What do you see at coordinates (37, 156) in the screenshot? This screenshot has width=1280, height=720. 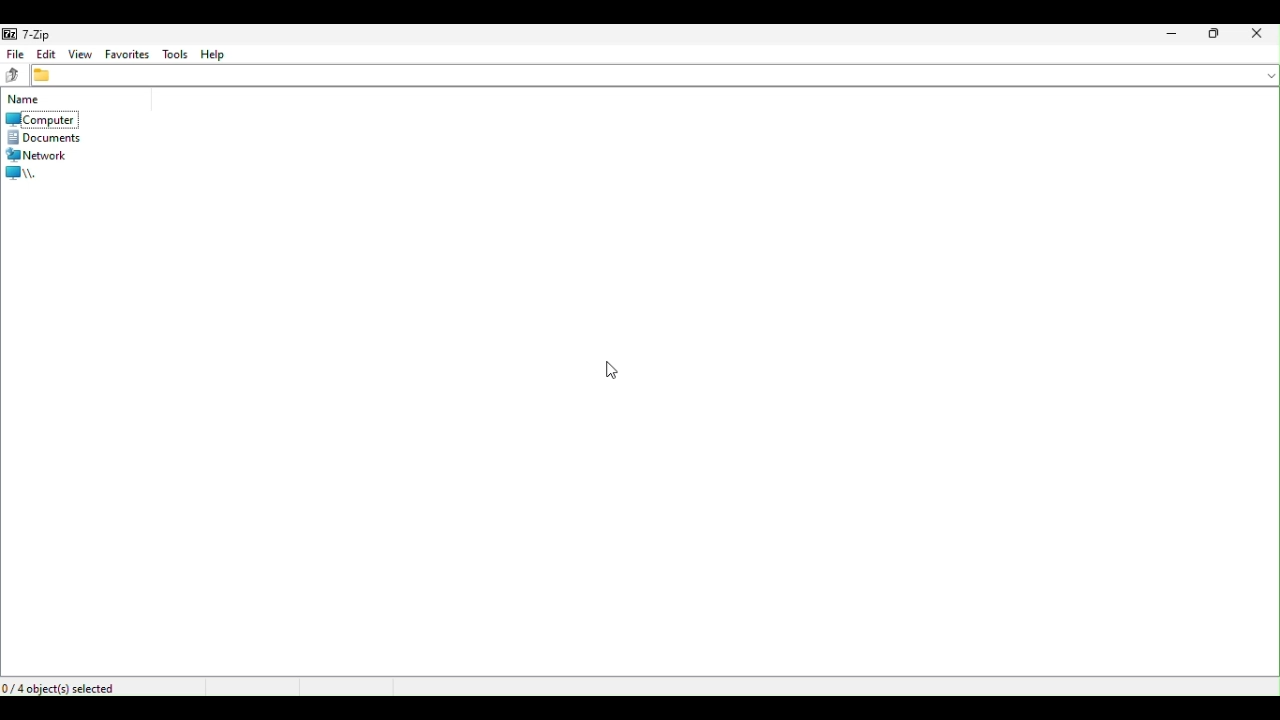 I see `Network` at bounding box center [37, 156].